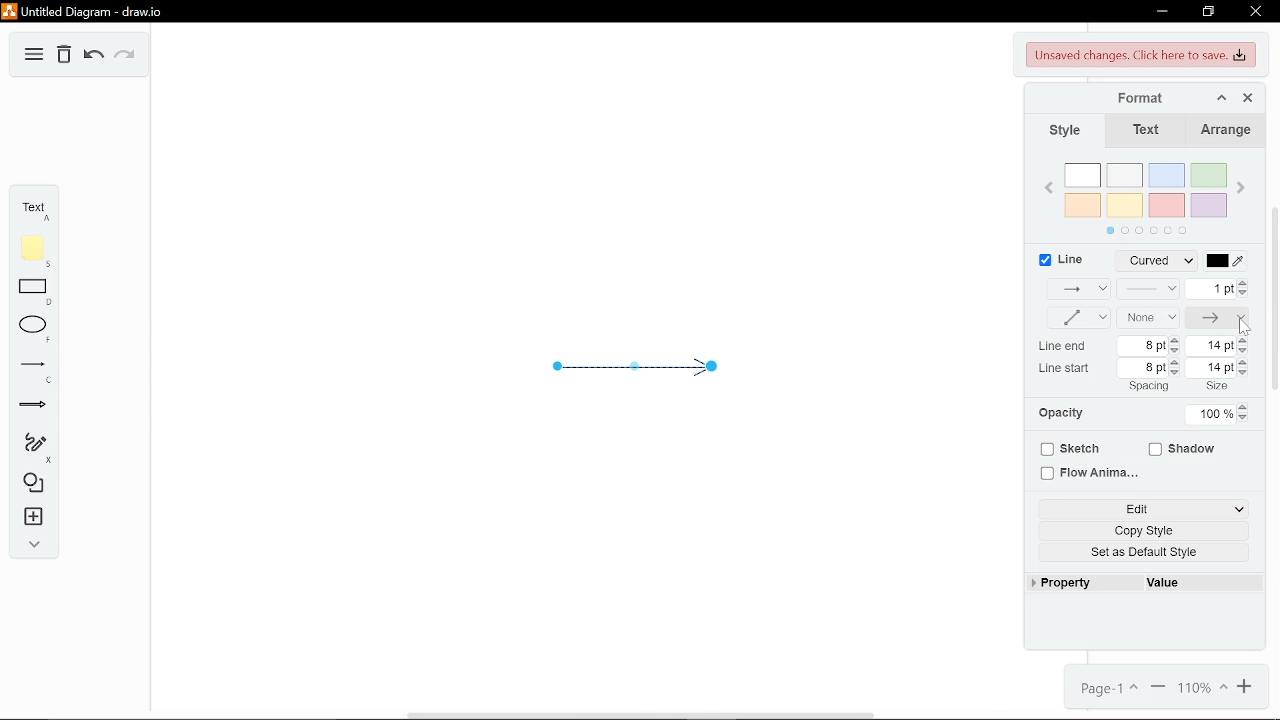 The width and height of the screenshot is (1280, 720). Describe the element at coordinates (1087, 474) in the screenshot. I see `Flow animaiton` at that location.